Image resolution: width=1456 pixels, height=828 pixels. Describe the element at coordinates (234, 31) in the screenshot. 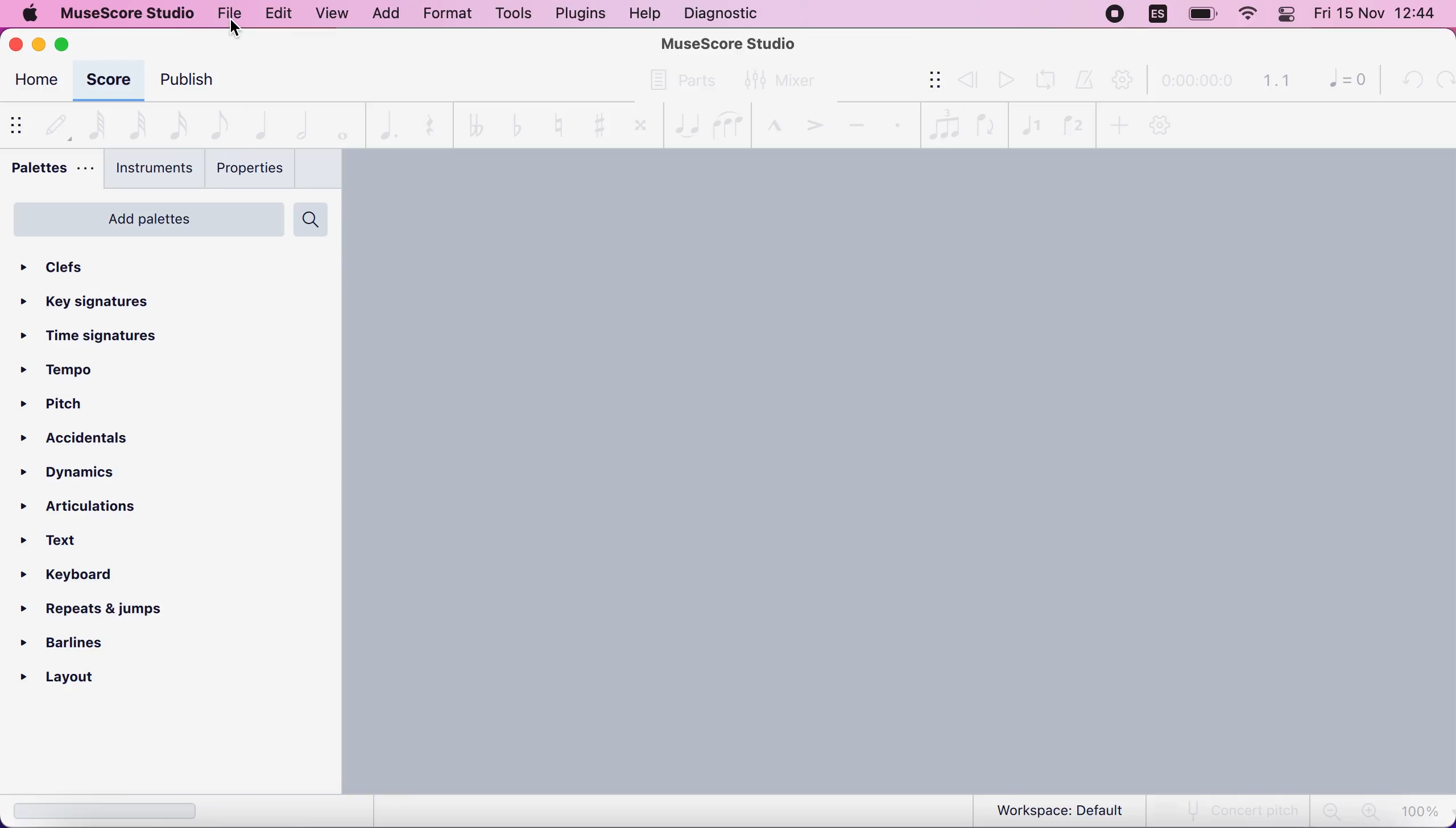

I see `Cursor` at that location.